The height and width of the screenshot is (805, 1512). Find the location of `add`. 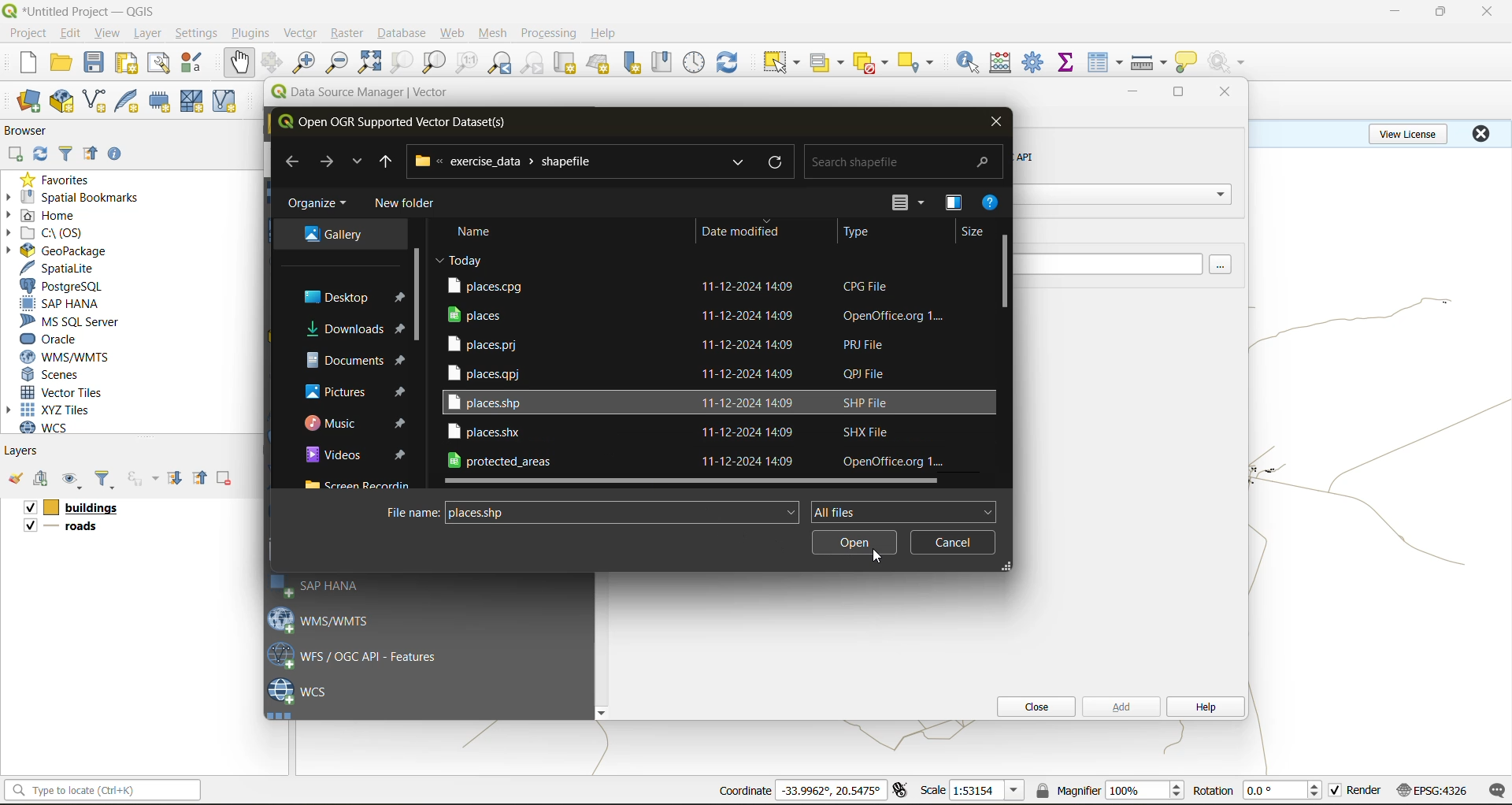

add is located at coordinates (1119, 706).